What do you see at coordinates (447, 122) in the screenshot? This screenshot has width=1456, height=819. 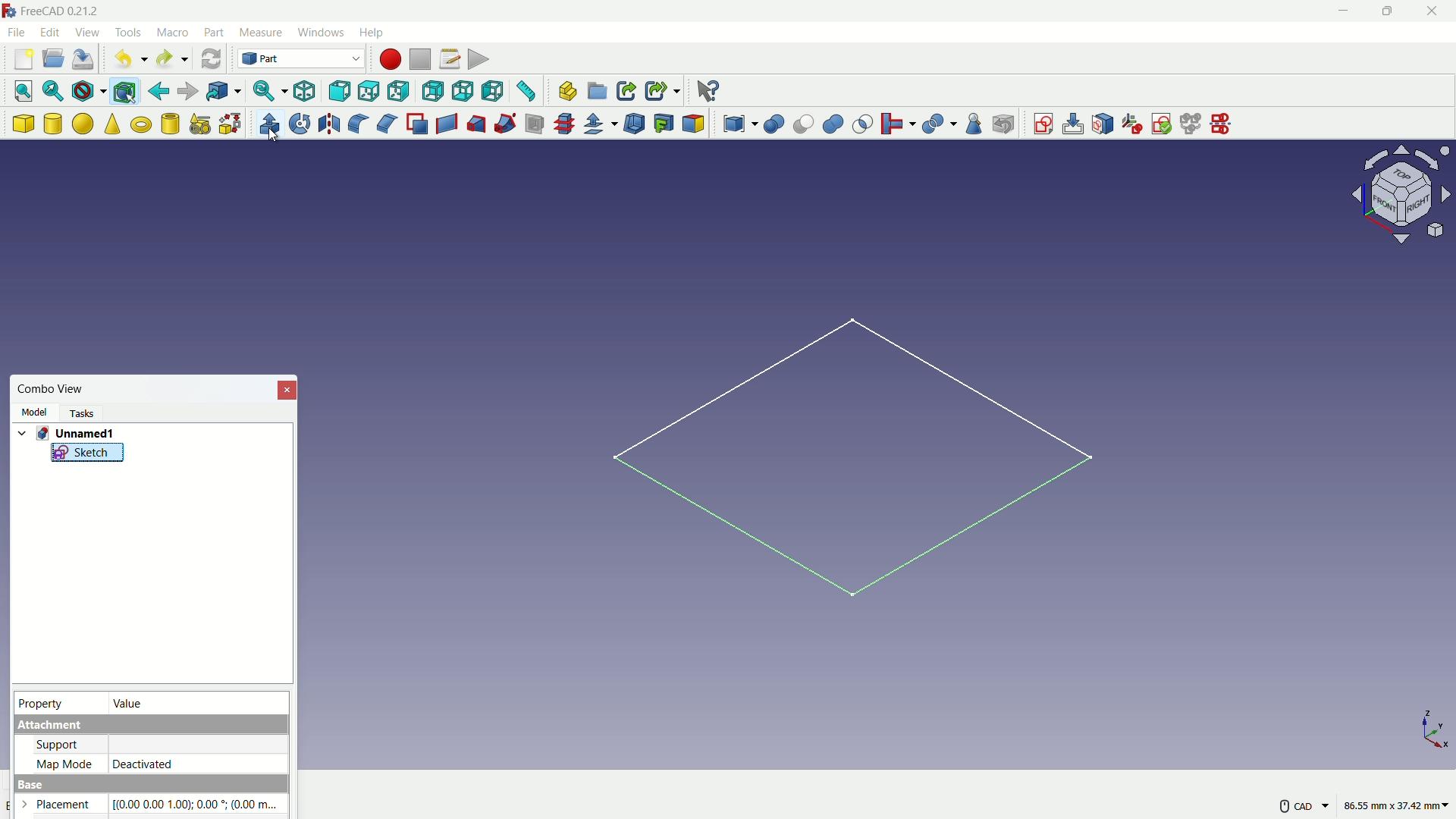 I see `create ruled surface` at bounding box center [447, 122].